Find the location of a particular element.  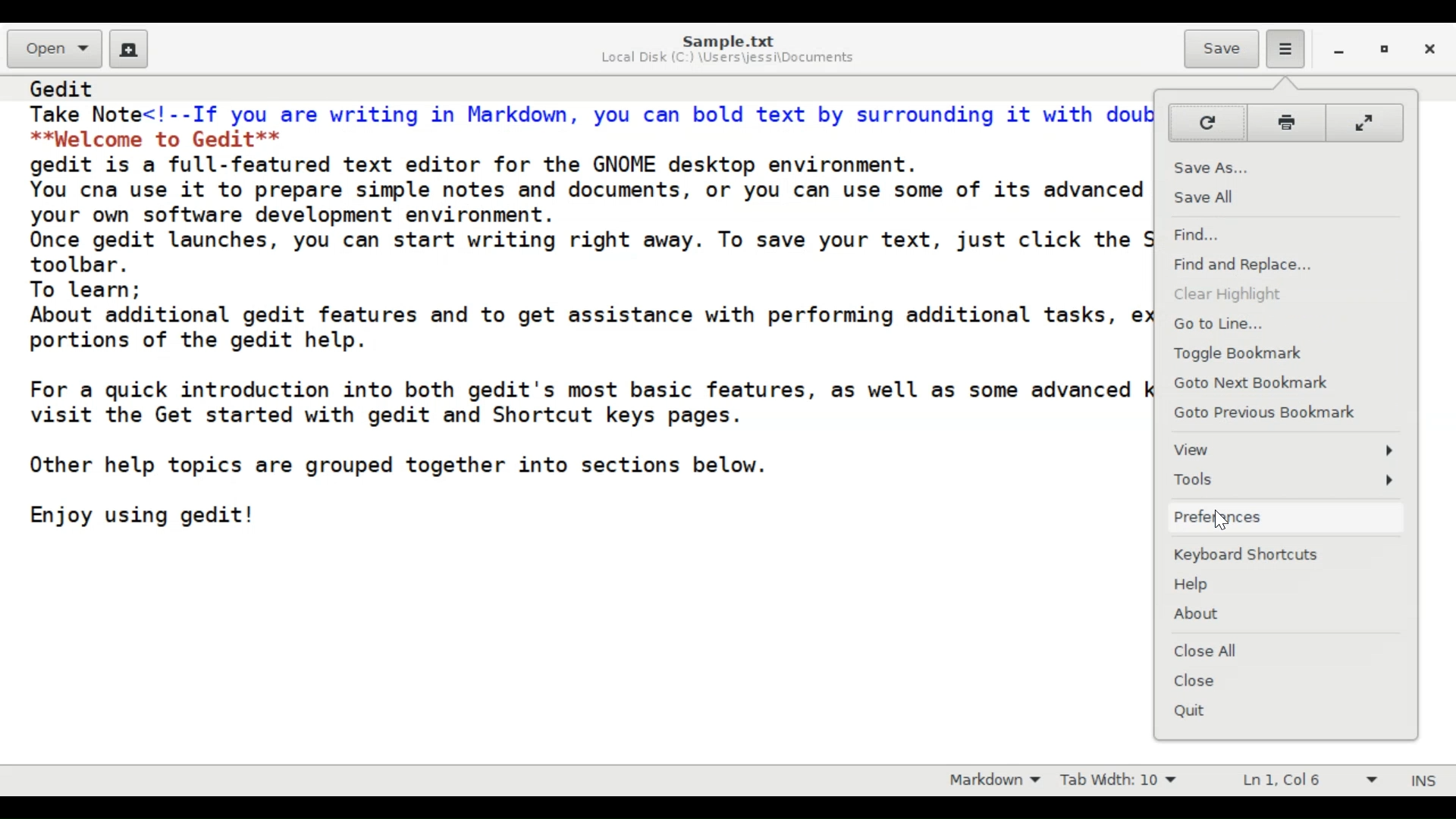

Clear Highlight is located at coordinates (1291, 295).